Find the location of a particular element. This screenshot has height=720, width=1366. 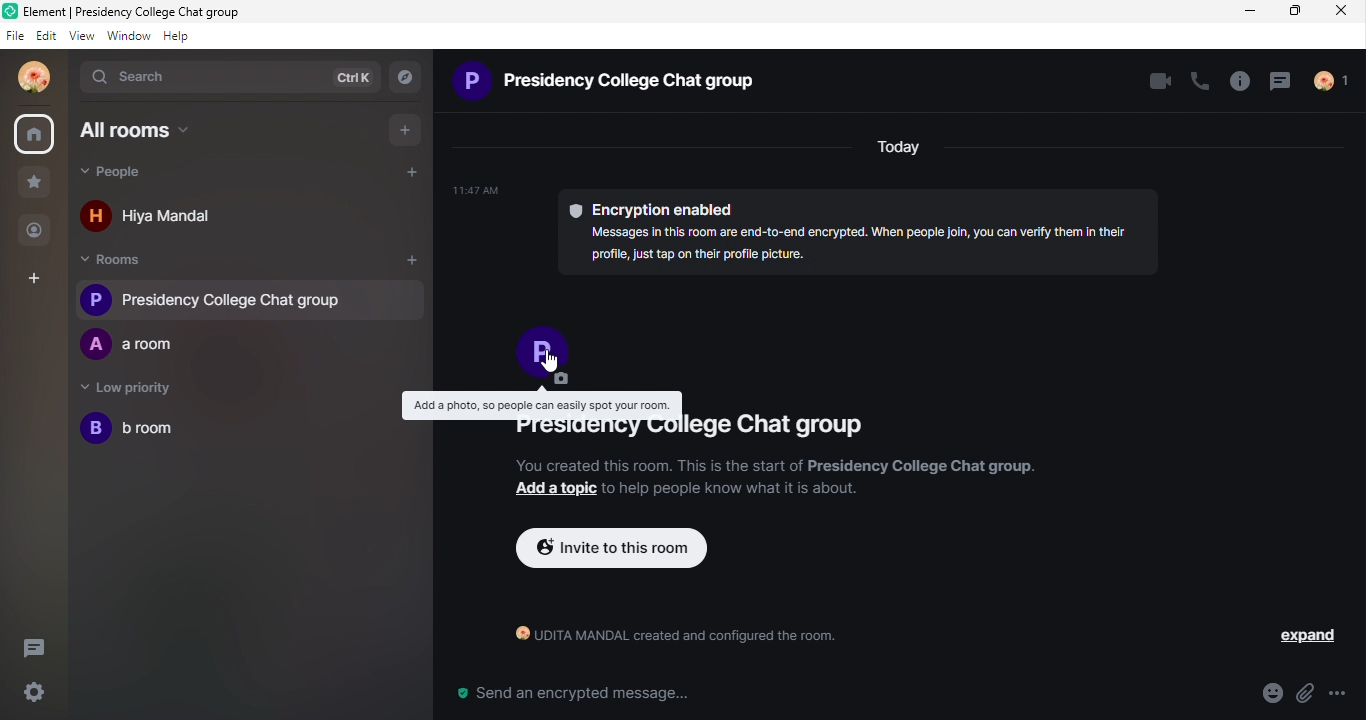

minimize is located at coordinates (1252, 13).